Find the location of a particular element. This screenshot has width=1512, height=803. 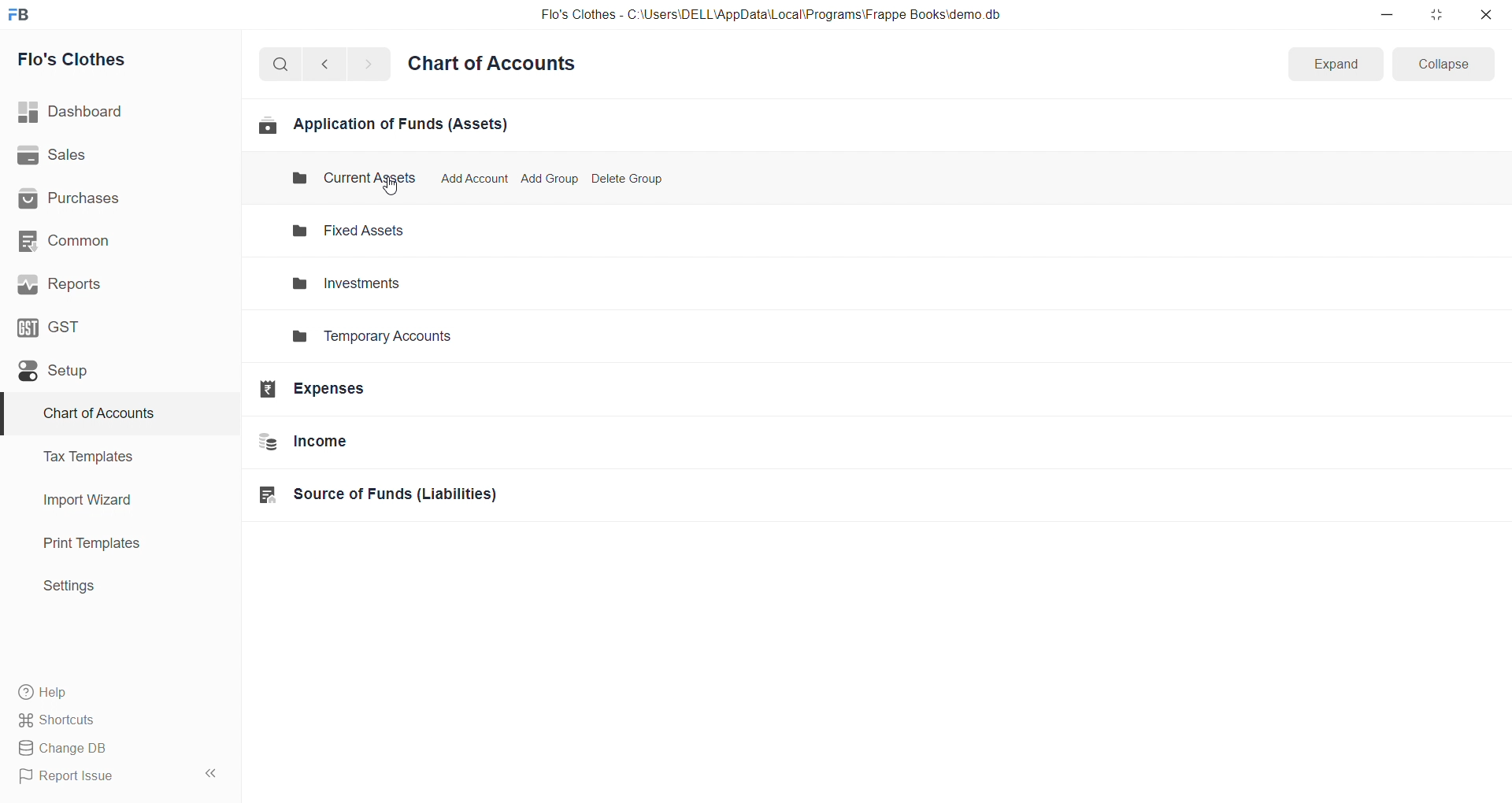

Collapse sidebar is located at coordinates (213, 776).